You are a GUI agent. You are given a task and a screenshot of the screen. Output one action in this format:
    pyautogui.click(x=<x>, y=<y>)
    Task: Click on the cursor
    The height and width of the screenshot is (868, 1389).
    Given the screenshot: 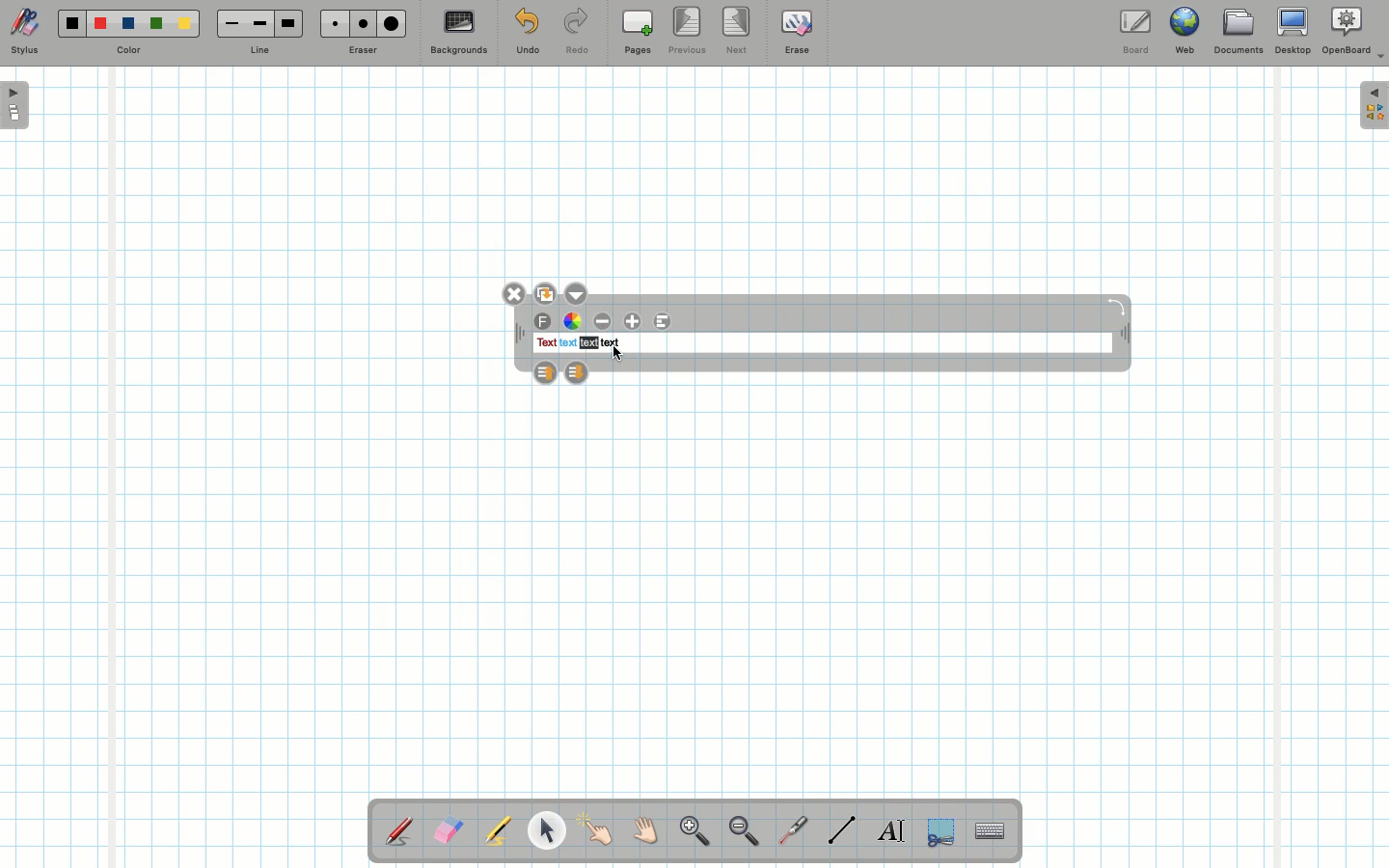 What is the action you would take?
    pyautogui.click(x=616, y=353)
    